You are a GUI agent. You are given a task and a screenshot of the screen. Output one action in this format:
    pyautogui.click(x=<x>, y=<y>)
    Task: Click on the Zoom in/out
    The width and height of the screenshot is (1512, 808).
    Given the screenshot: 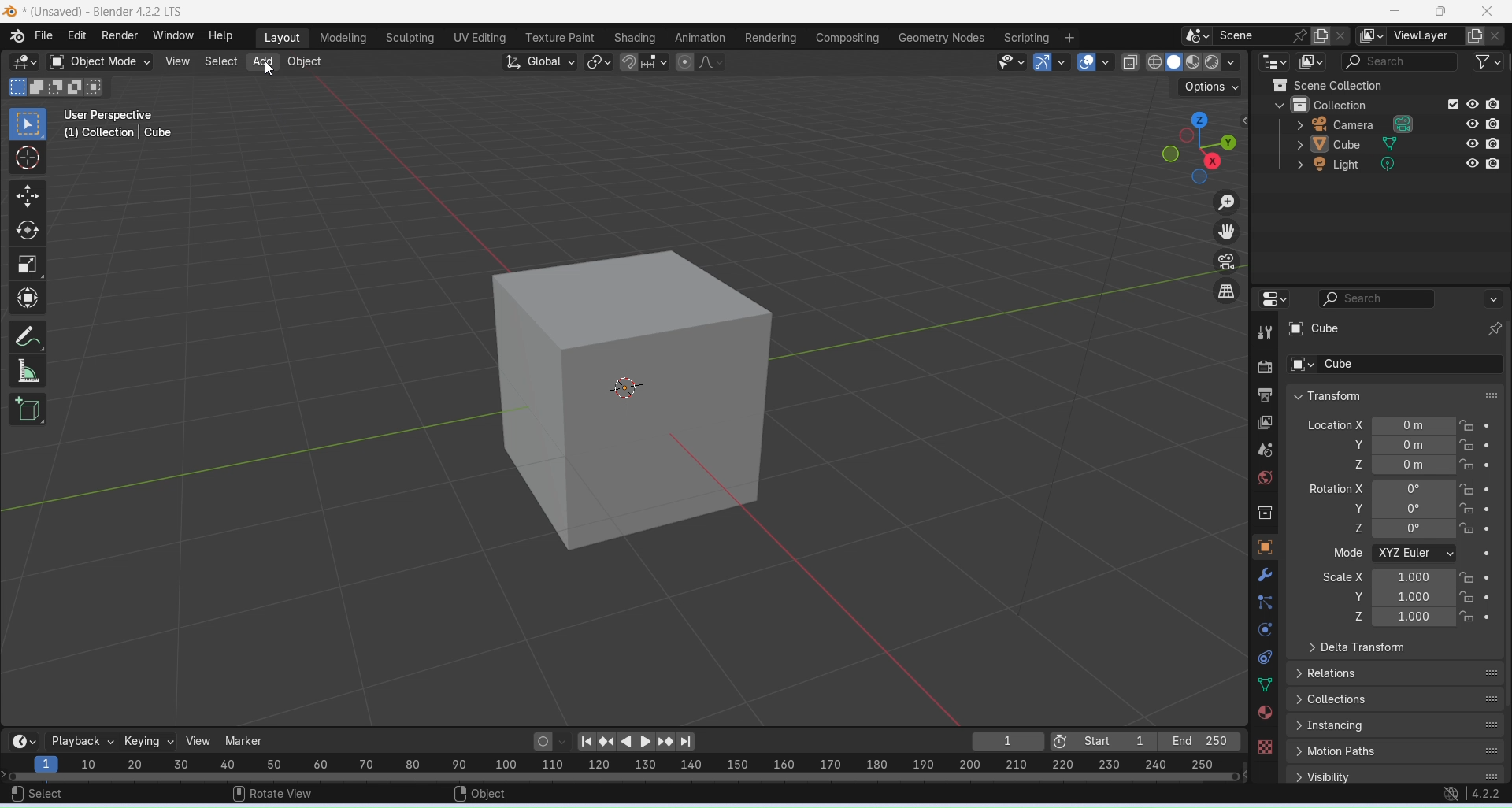 What is the action you would take?
    pyautogui.click(x=1227, y=201)
    